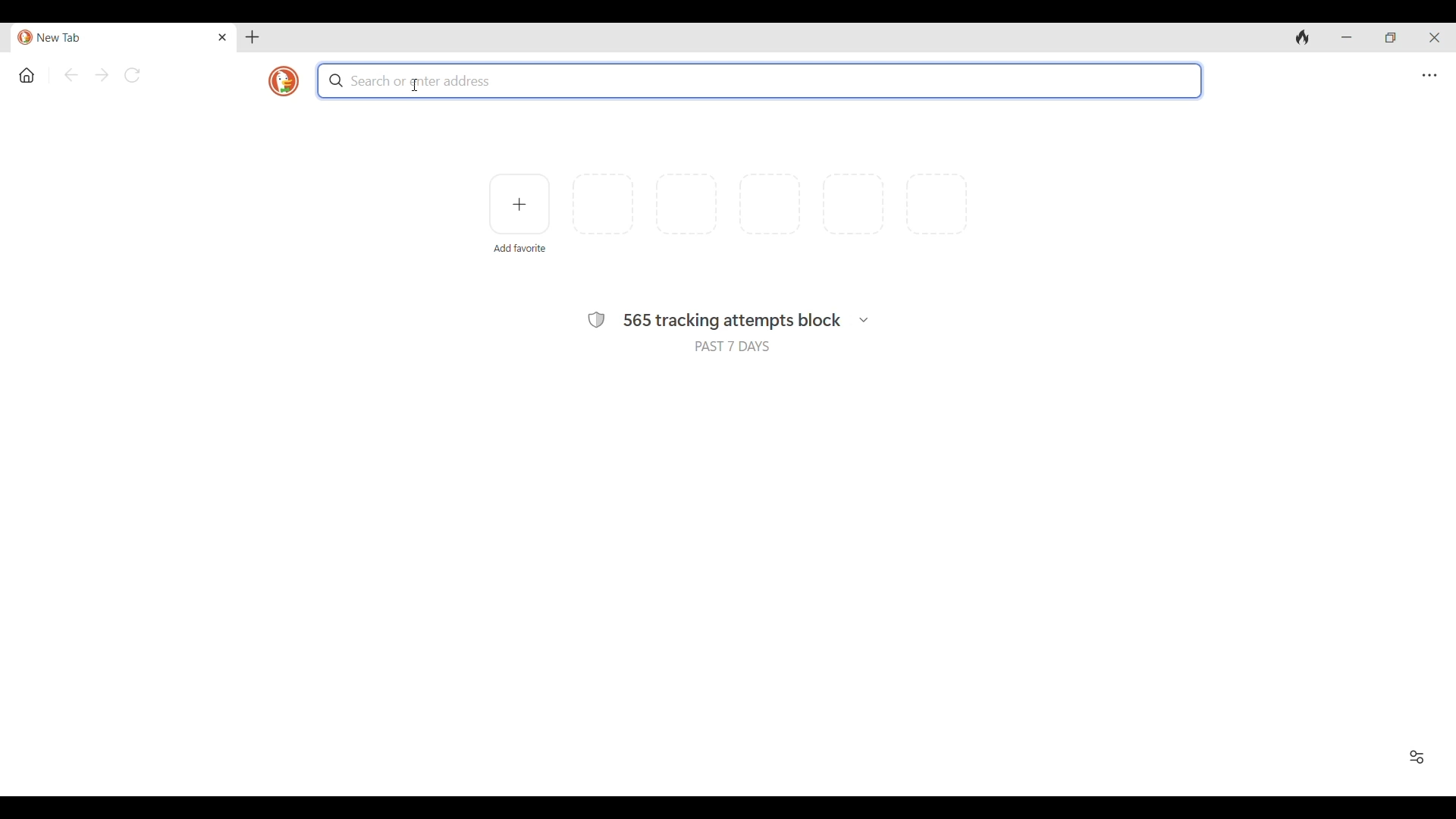 The height and width of the screenshot is (819, 1456). What do you see at coordinates (252, 37) in the screenshot?
I see `Add new tab` at bounding box center [252, 37].